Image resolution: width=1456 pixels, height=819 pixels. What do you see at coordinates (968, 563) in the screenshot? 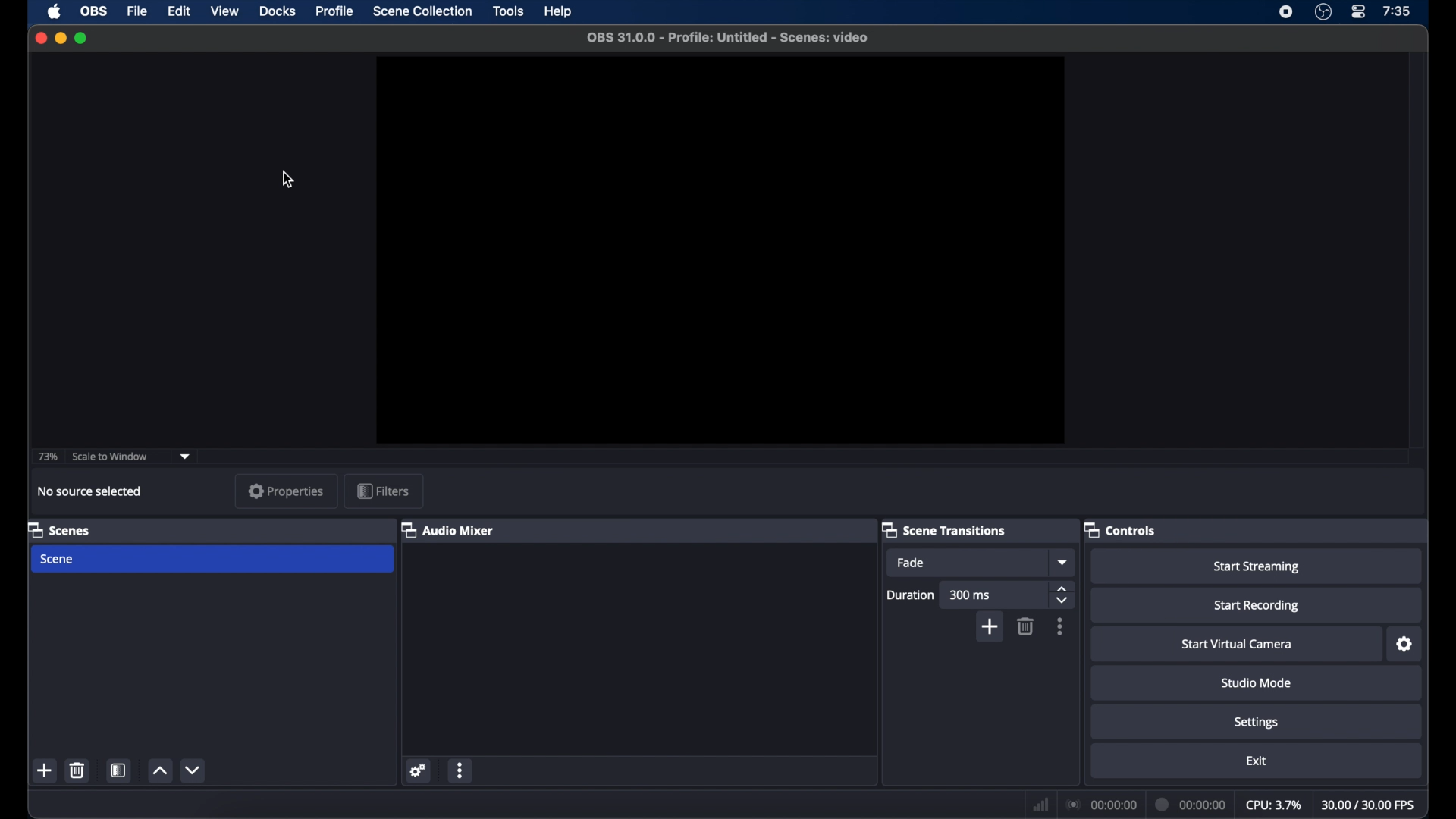
I see `fade` at bounding box center [968, 563].